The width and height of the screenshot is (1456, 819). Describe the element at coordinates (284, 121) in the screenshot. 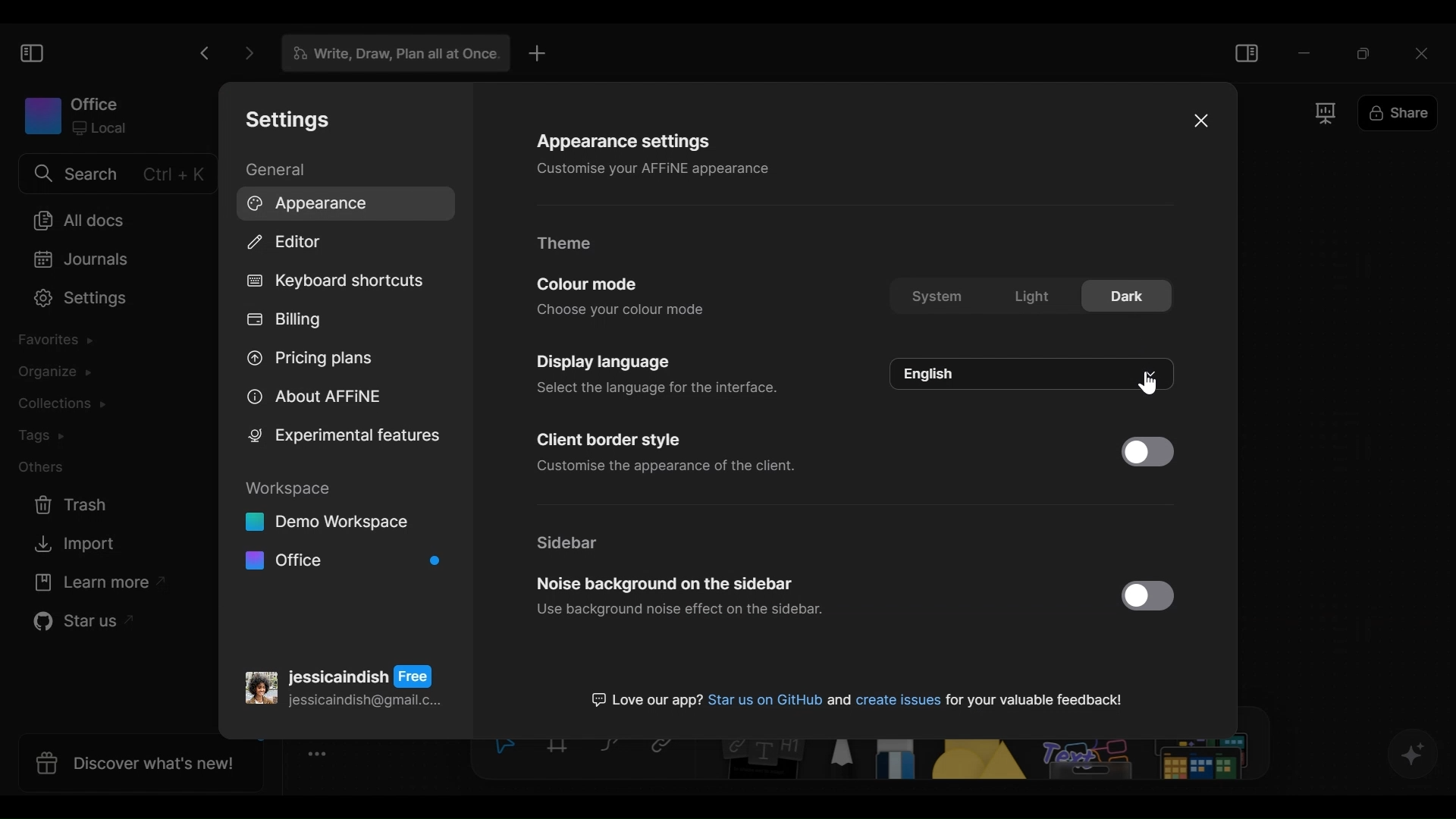

I see `Settings` at that location.